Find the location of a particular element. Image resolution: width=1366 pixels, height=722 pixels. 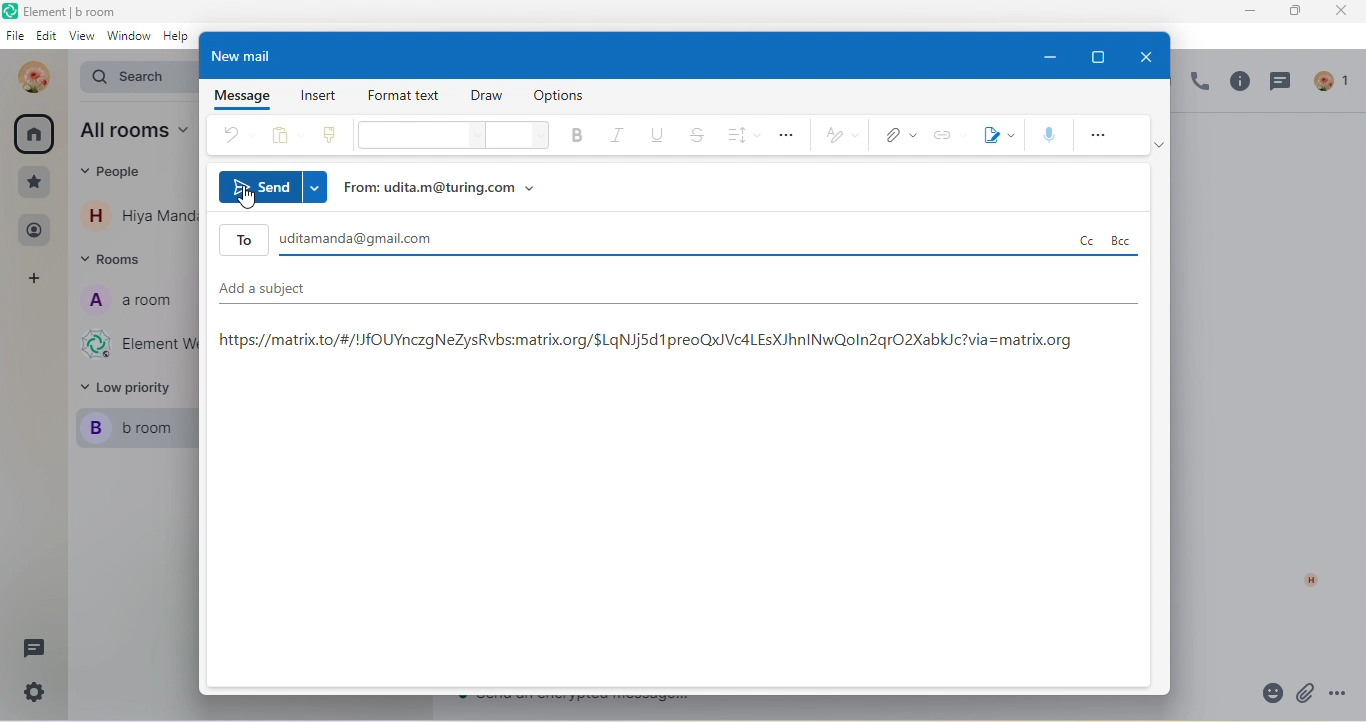

format text is located at coordinates (406, 96).